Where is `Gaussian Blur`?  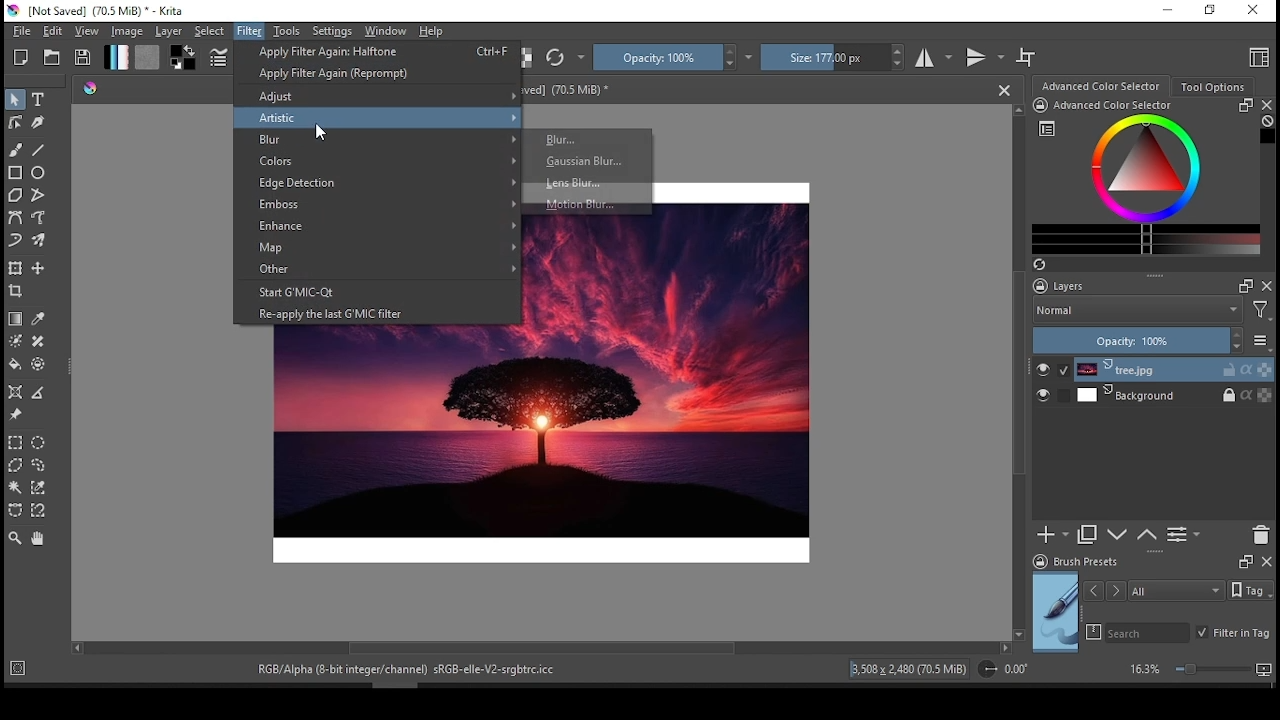
Gaussian Blur is located at coordinates (586, 161).